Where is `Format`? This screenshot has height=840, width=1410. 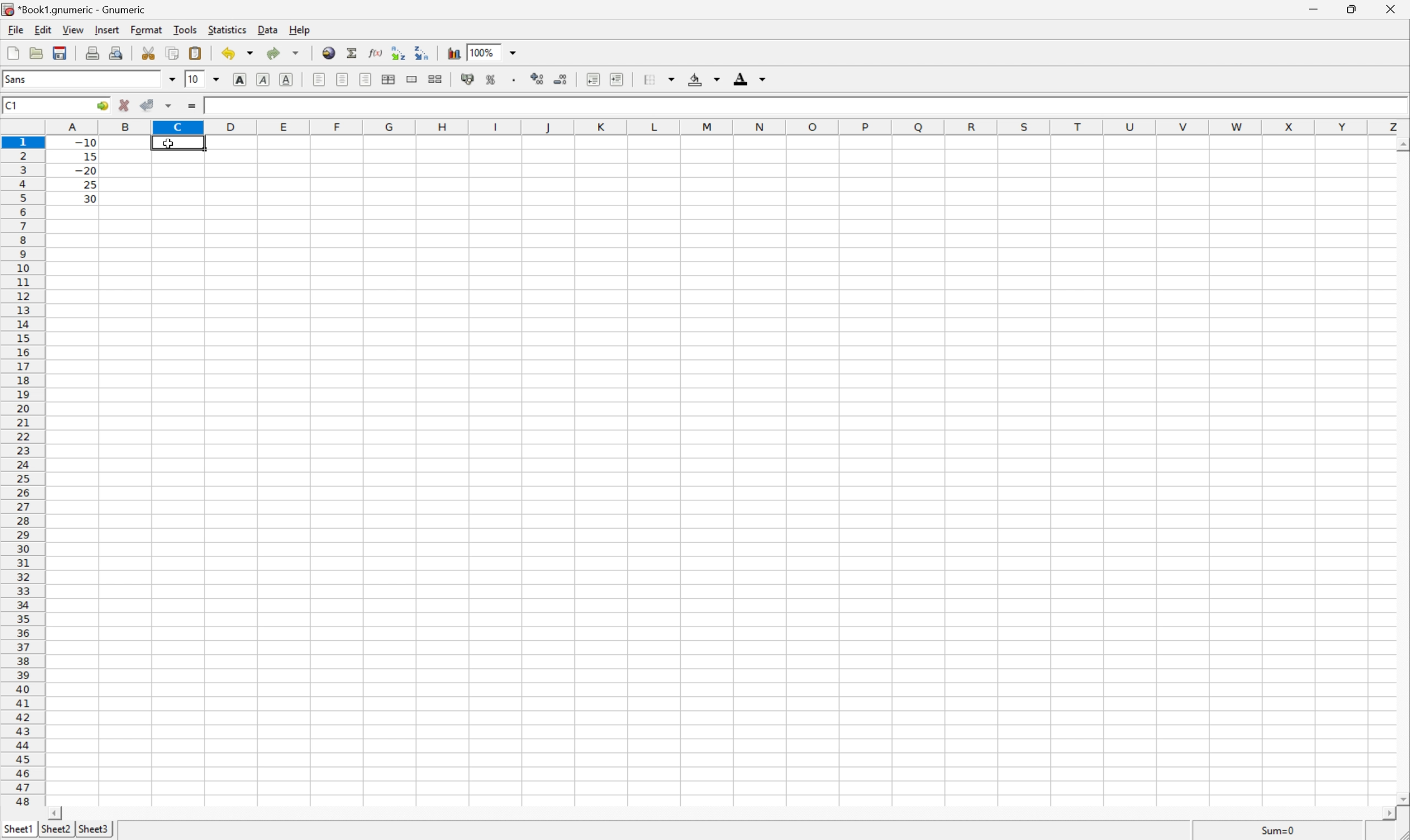
Format is located at coordinates (148, 28).